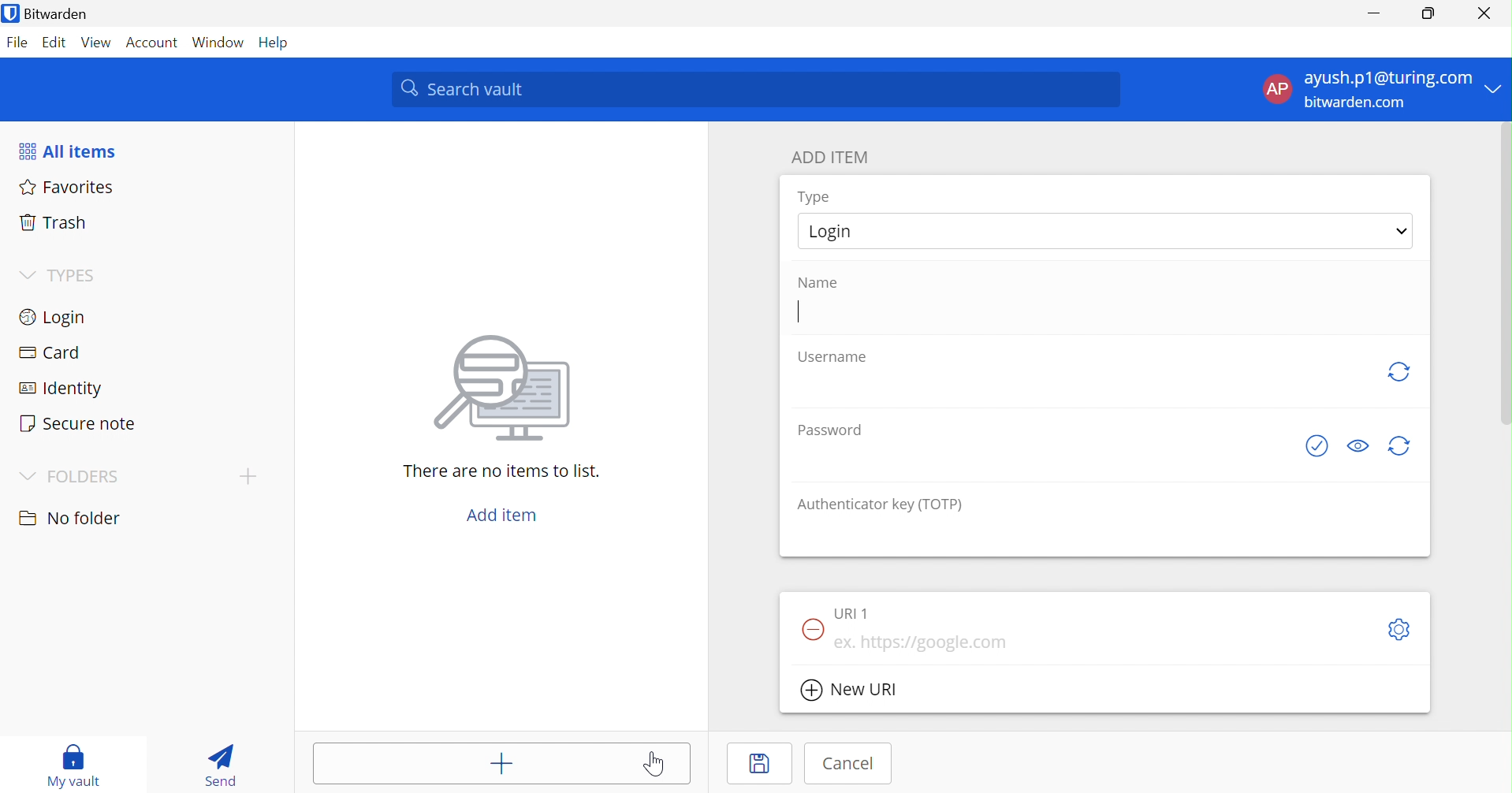 This screenshot has height=793, width=1512. What do you see at coordinates (47, 350) in the screenshot?
I see `Card` at bounding box center [47, 350].